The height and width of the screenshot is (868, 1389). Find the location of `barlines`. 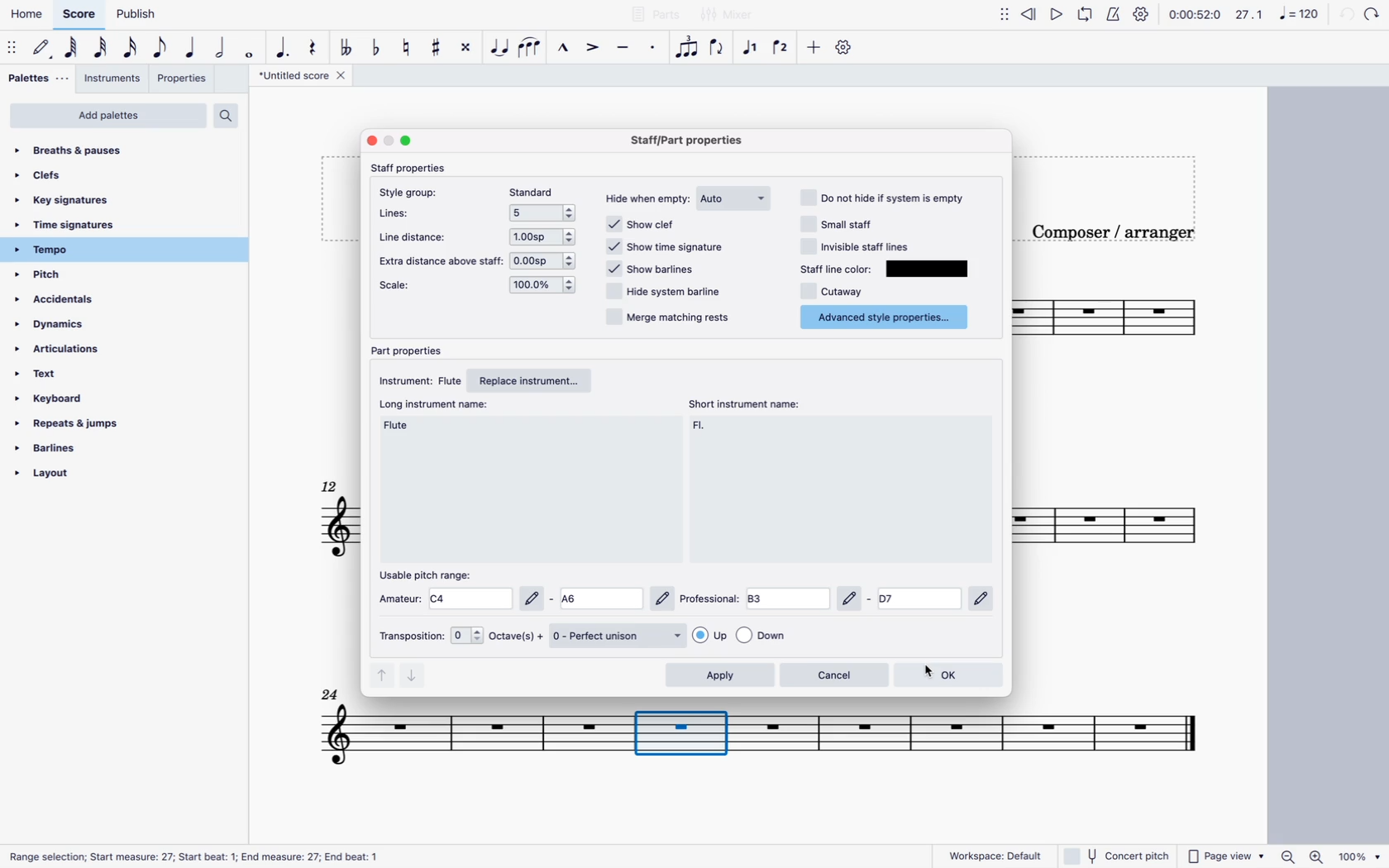

barlines is located at coordinates (103, 448).